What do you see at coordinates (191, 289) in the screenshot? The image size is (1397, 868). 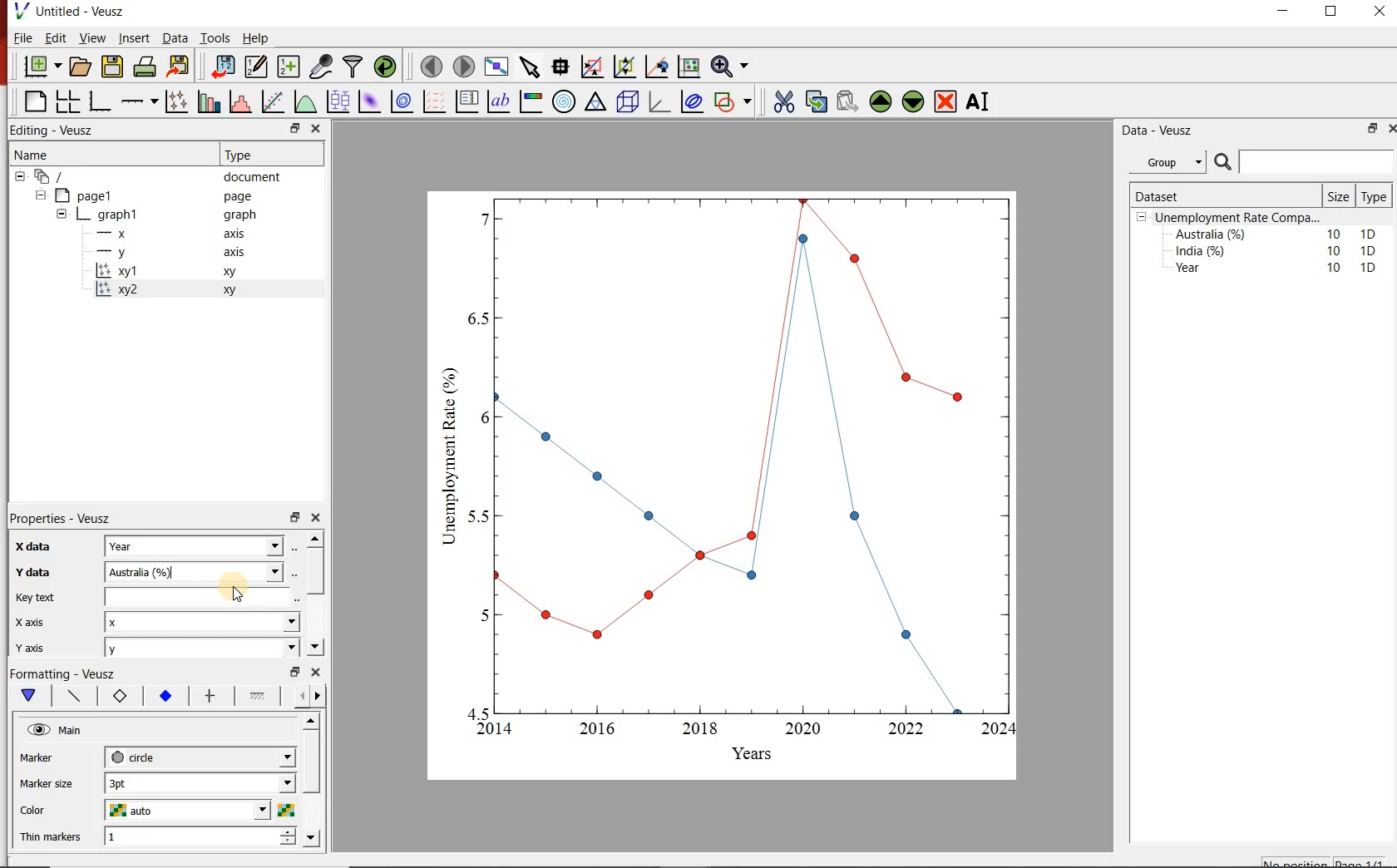 I see `xy 2 xy` at bounding box center [191, 289].